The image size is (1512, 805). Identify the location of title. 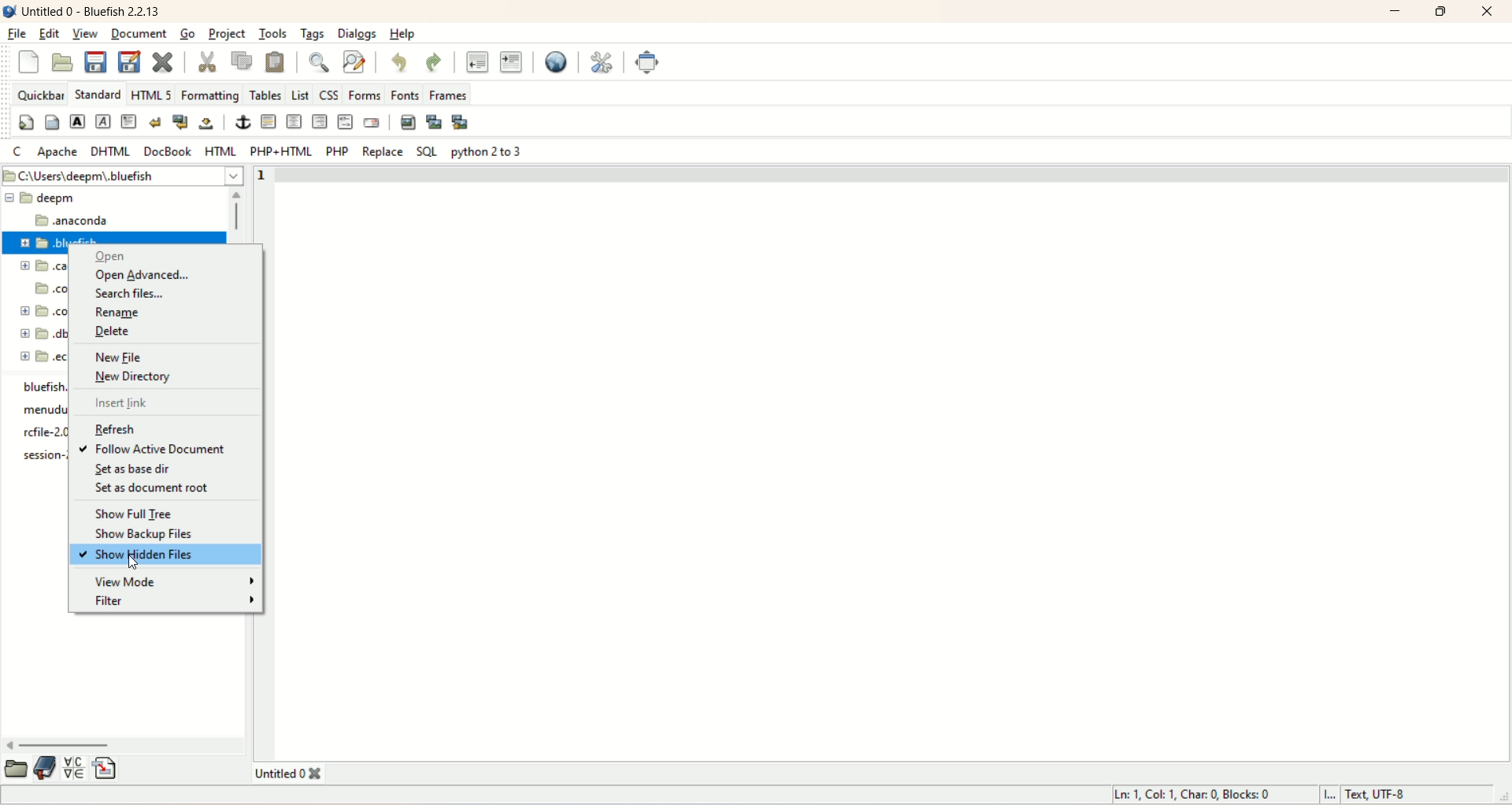
(298, 773).